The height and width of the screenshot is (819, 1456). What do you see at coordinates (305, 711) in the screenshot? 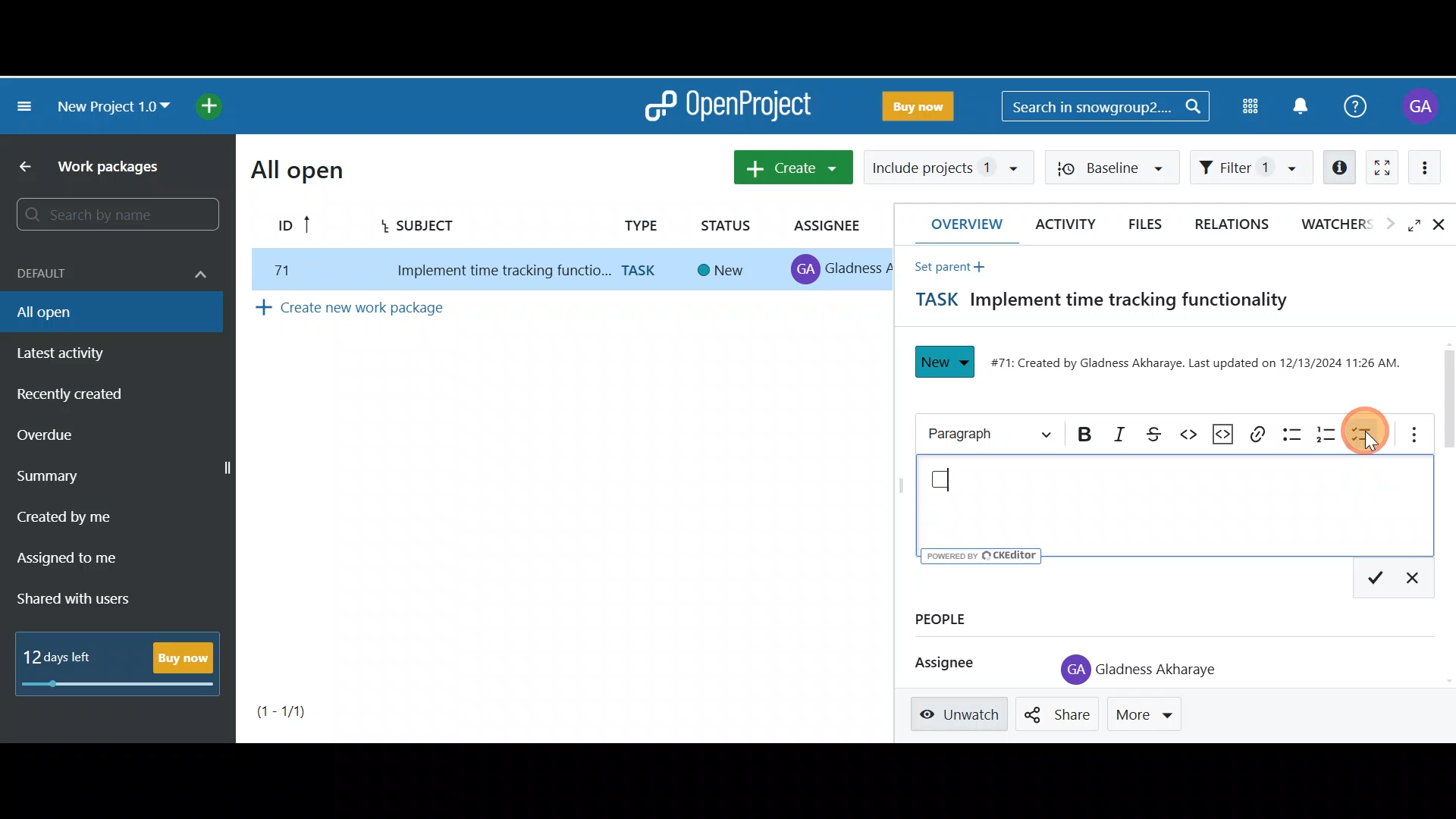
I see `Page number` at bounding box center [305, 711].